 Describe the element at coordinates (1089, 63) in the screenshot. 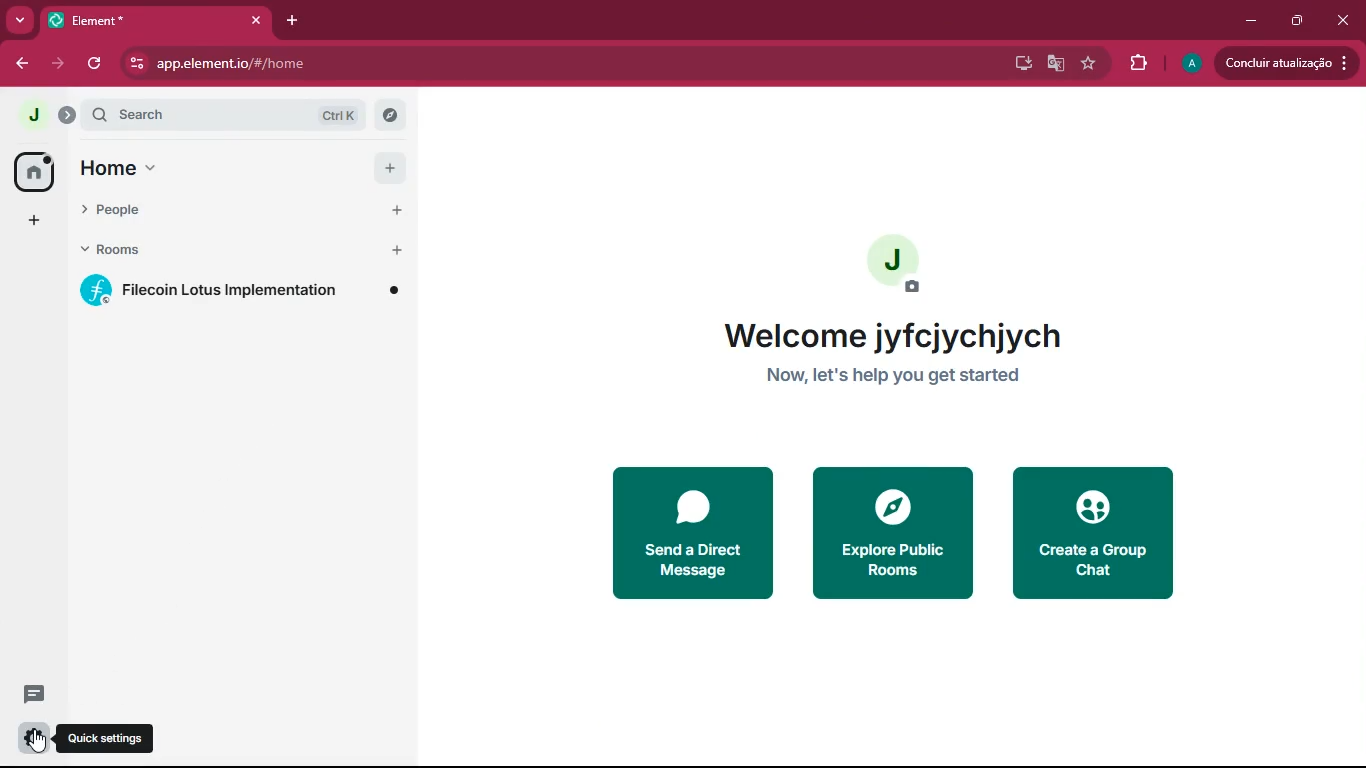

I see `favourite` at that location.